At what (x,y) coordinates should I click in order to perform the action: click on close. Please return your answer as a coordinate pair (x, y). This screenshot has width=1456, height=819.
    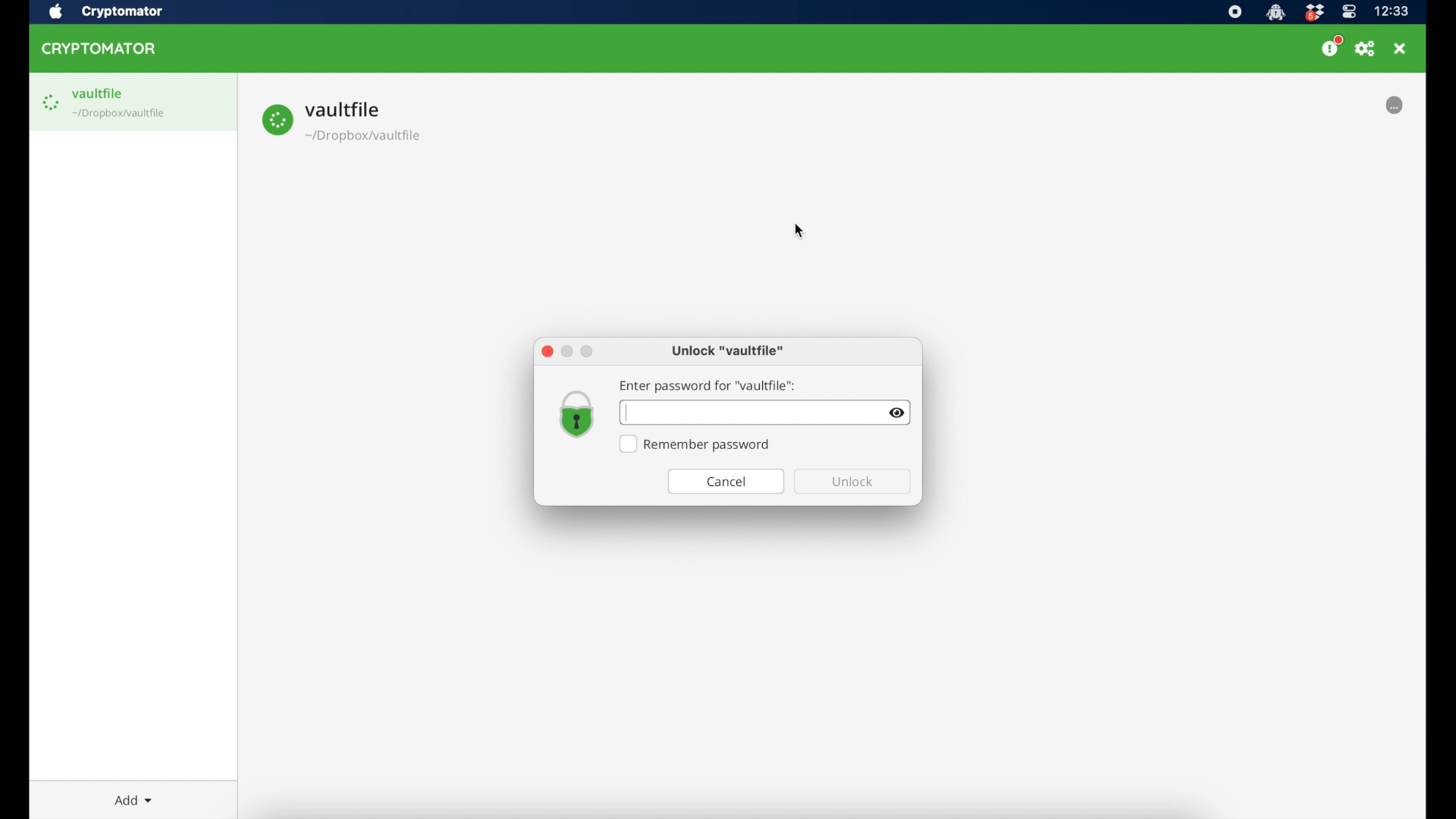
    Looking at the image, I should click on (1402, 48).